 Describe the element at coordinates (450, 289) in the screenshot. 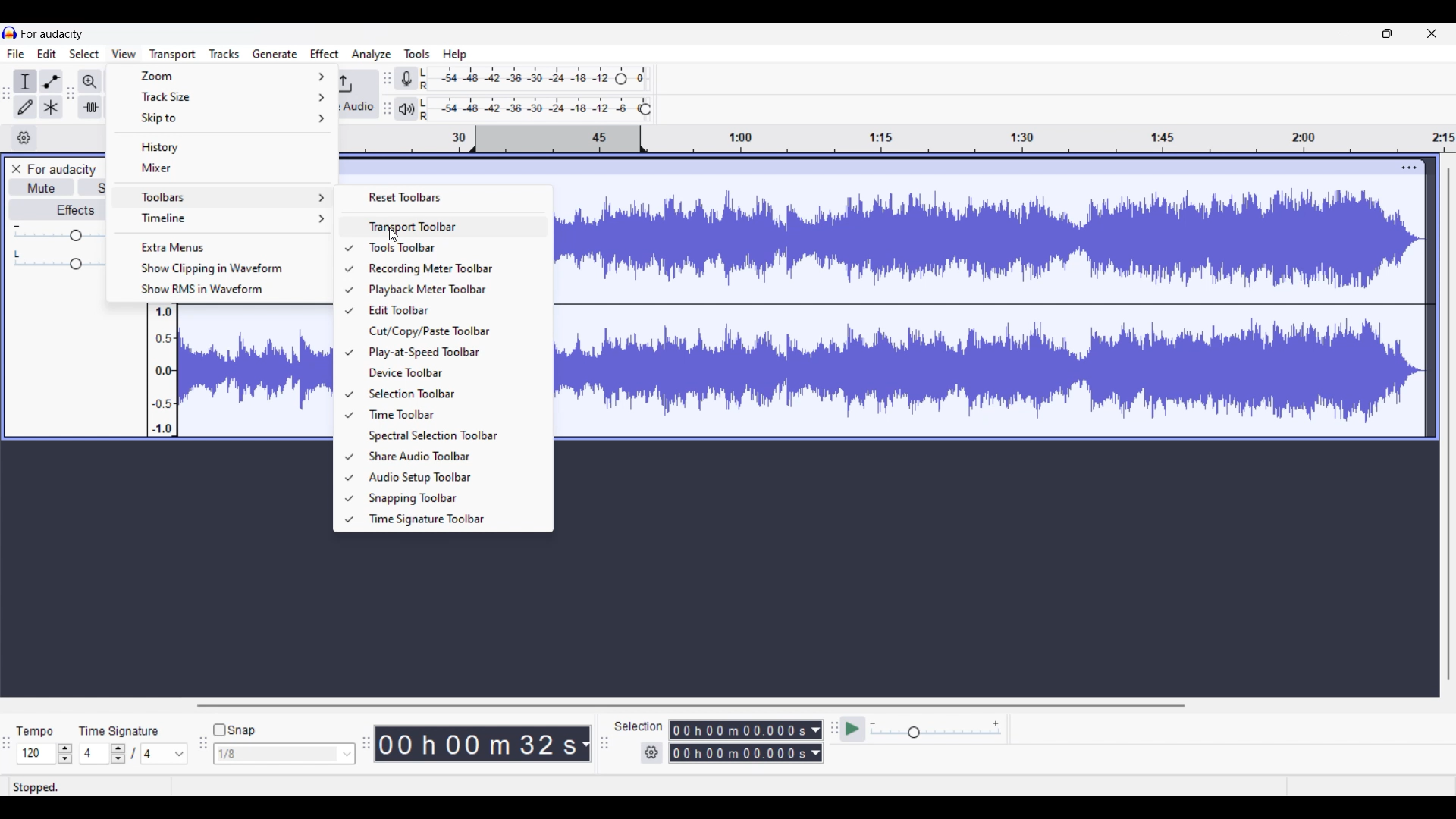

I see `Playback meter toolbar` at that location.